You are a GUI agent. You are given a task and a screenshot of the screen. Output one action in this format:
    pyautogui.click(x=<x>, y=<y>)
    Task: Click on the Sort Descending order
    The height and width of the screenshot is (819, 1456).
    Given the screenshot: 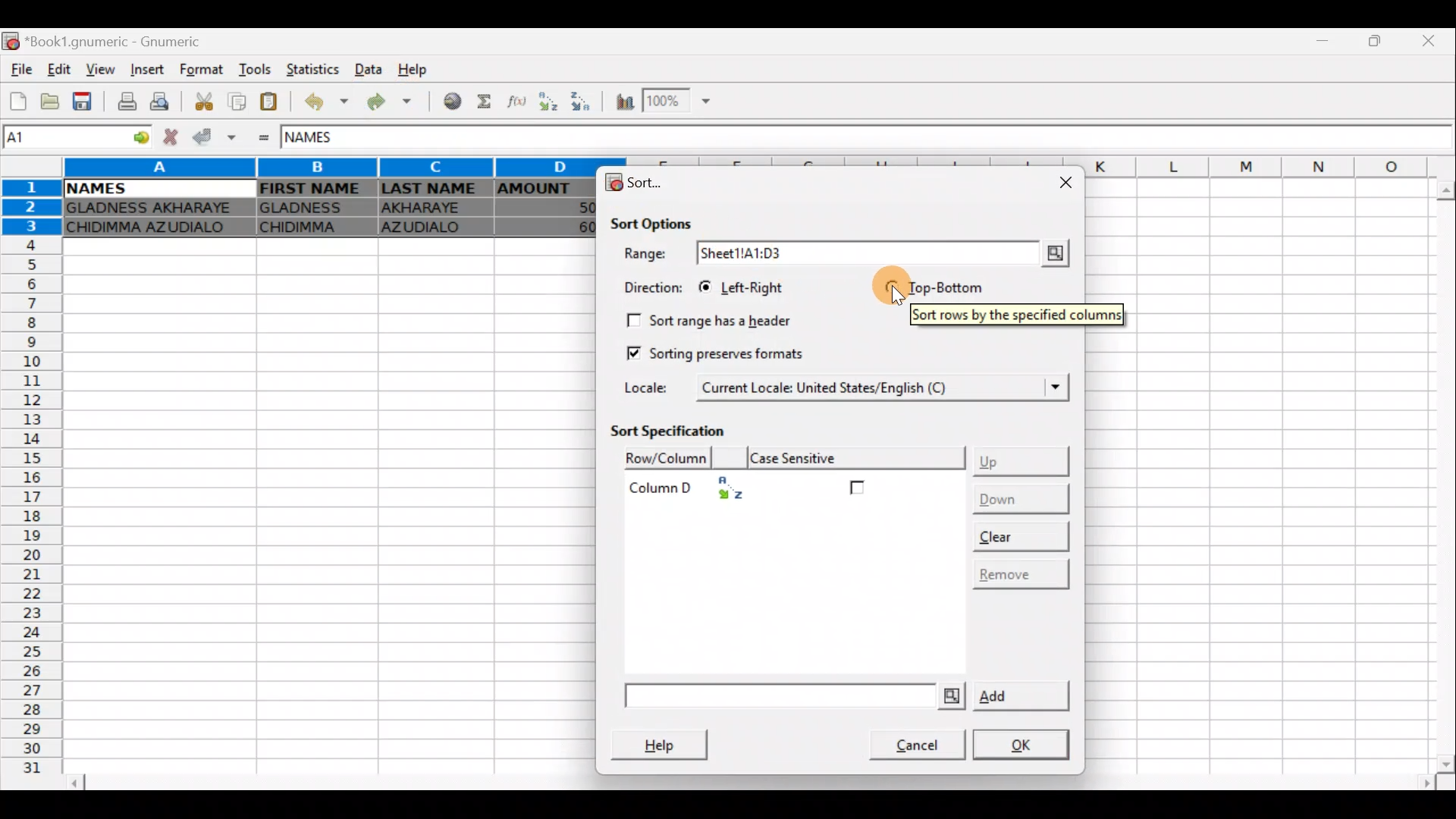 What is the action you would take?
    pyautogui.click(x=579, y=101)
    